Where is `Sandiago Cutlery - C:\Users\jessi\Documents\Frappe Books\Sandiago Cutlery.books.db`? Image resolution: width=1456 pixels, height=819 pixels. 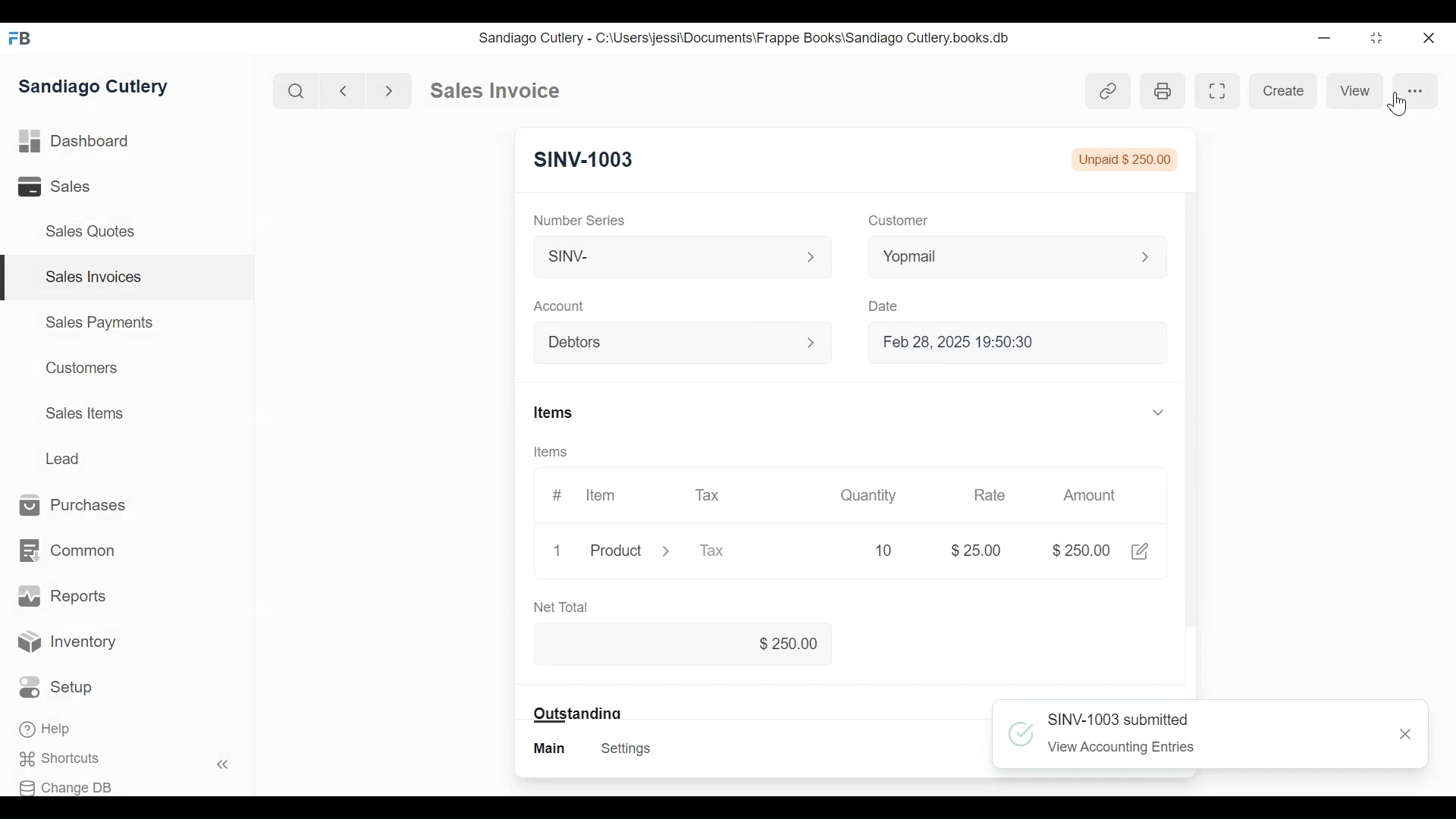 Sandiago Cutlery - C:\Users\jessi\Documents\Frappe Books\Sandiago Cutlery.books.db is located at coordinates (742, 37).